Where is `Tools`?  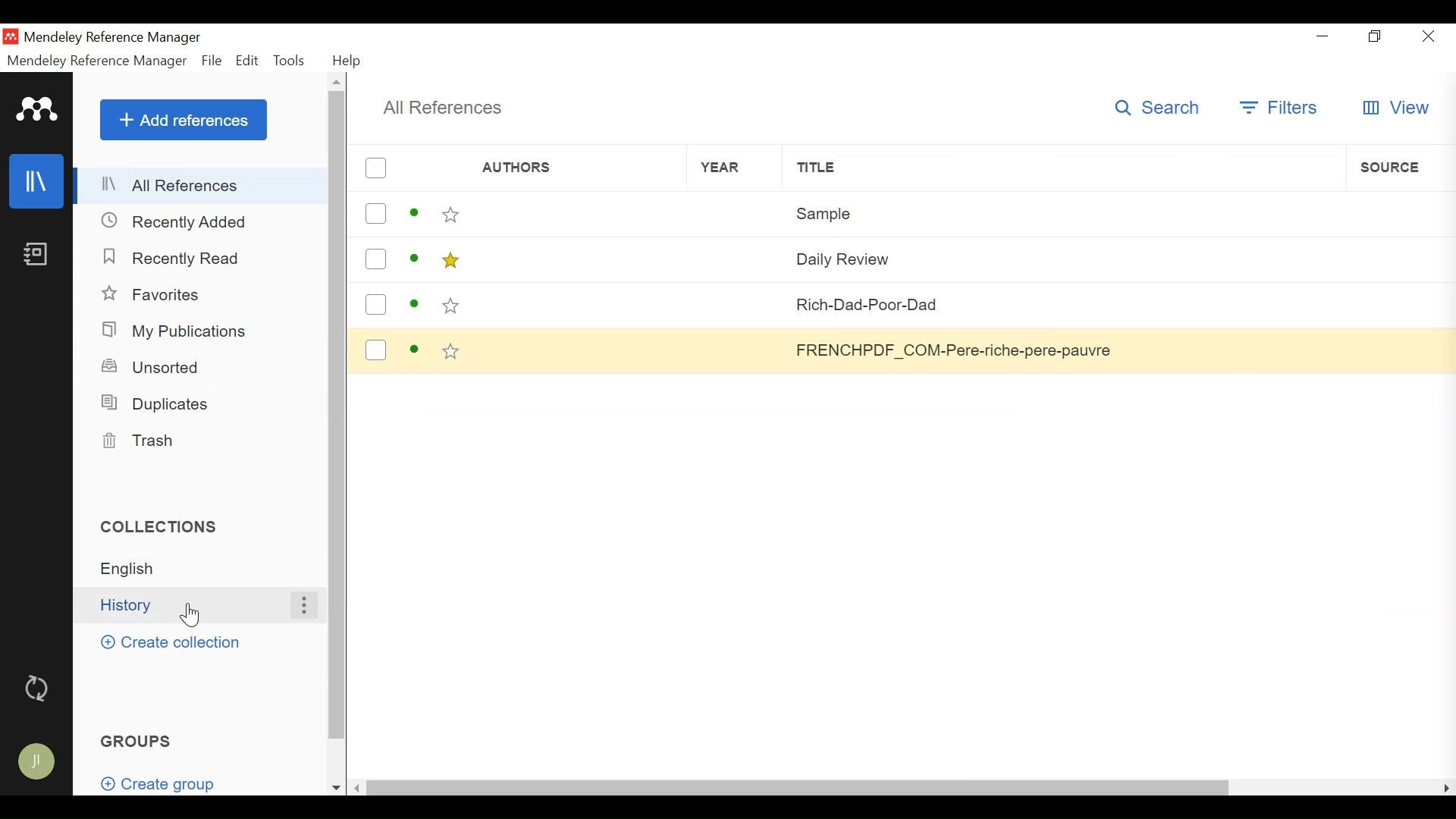 Tools is located at coordinates (292, 60).